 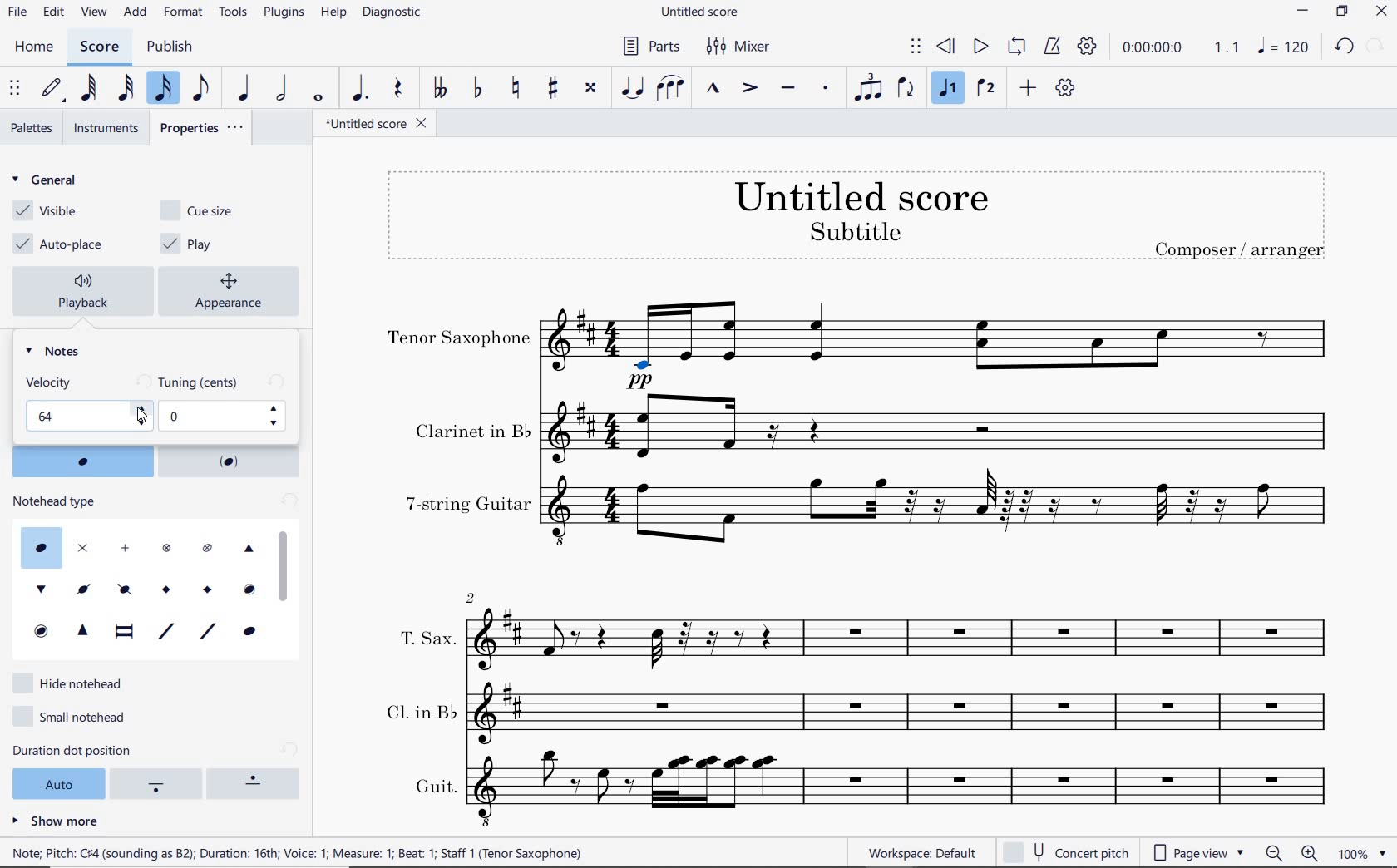 I want to click on small notehead, so click(x=76, y=714).